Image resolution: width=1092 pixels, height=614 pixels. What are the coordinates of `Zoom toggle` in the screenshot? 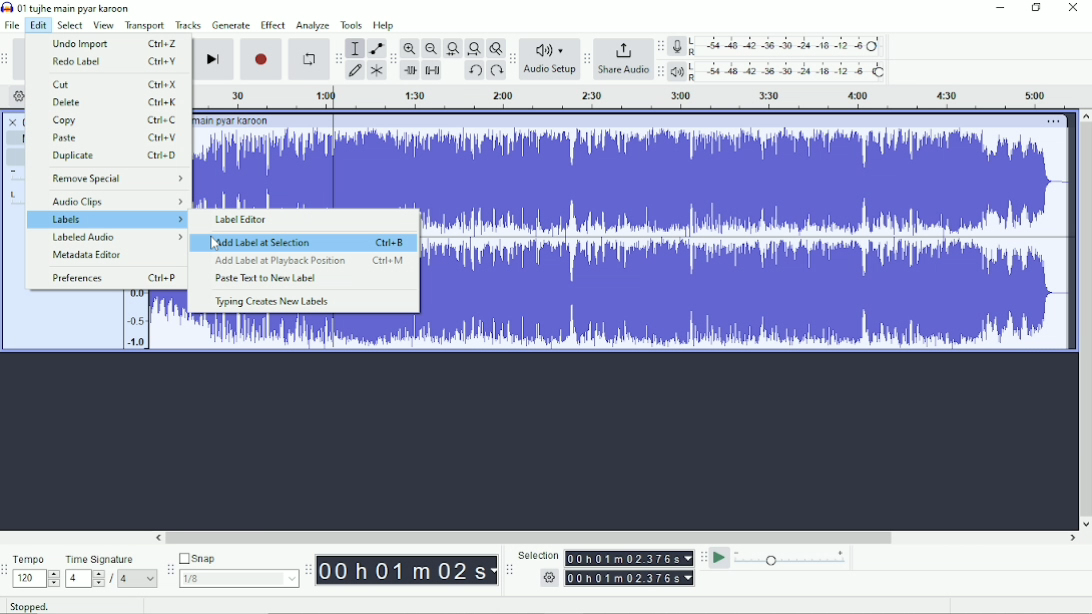 It's located at (495, 48).